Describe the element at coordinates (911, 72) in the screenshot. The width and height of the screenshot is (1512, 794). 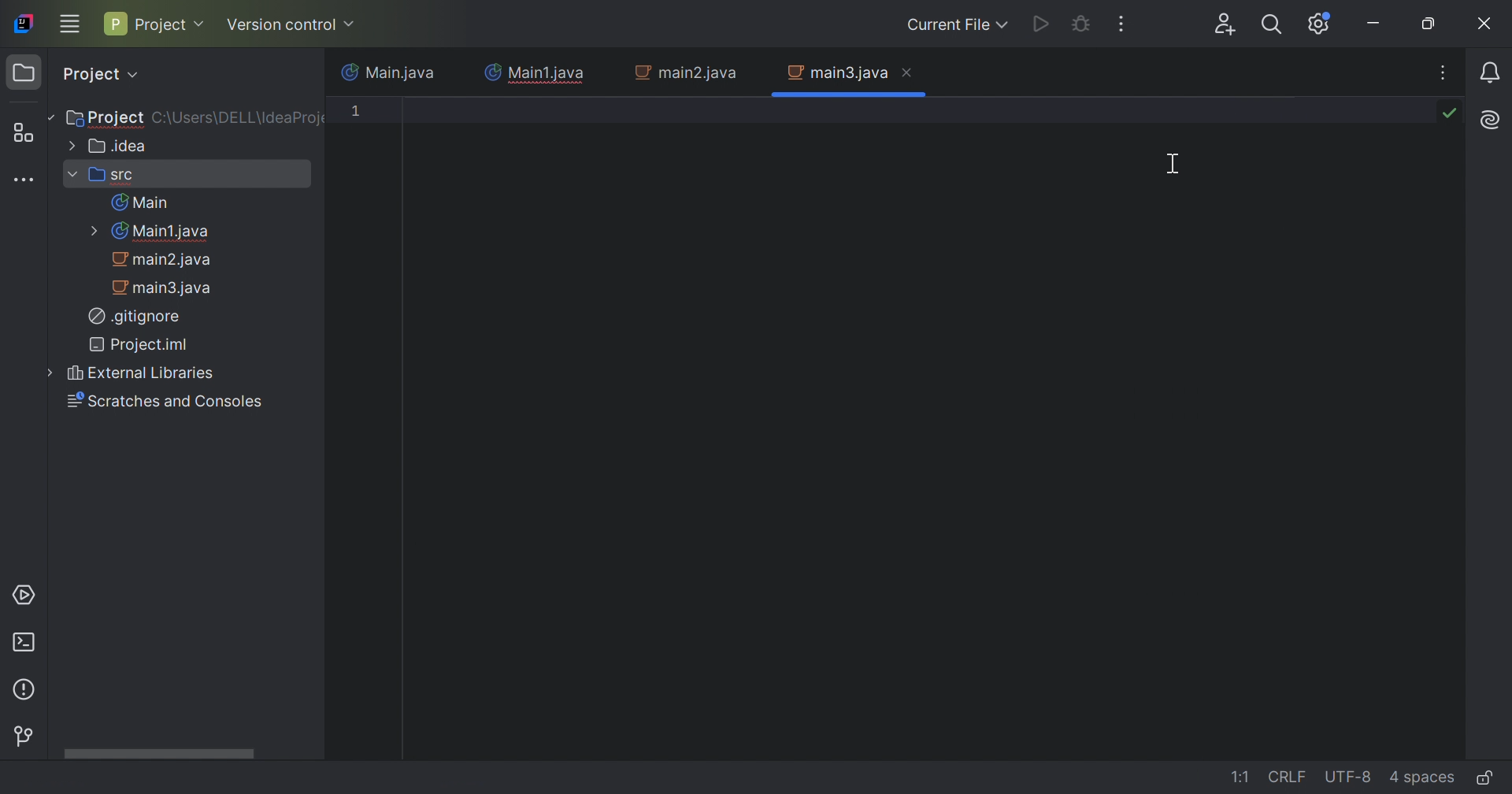
I see `Close` at that location.